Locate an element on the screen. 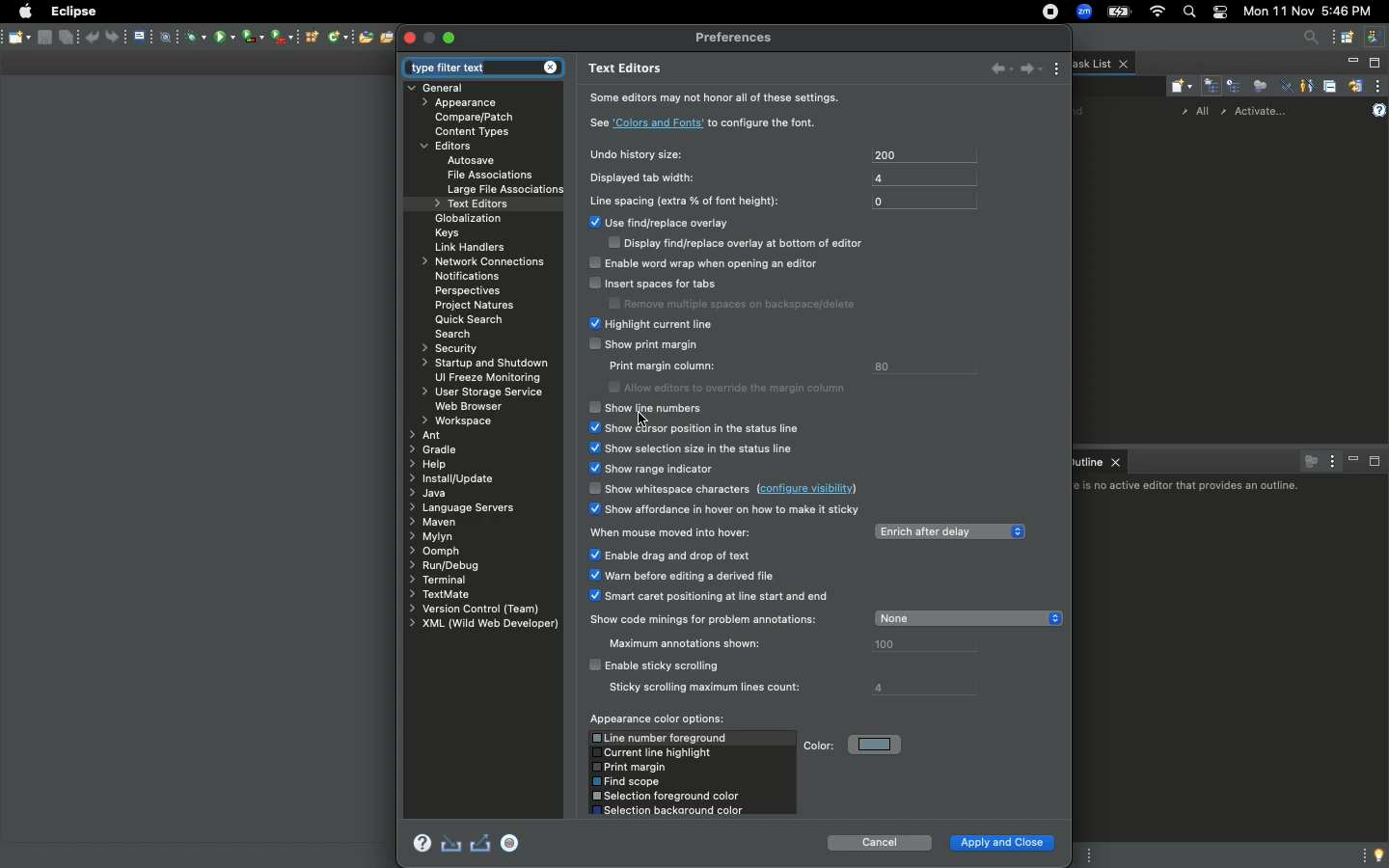 Image resolution: width=1389 pixels, height=868 pixels. Date/time is located at coordinates (1314, 12).